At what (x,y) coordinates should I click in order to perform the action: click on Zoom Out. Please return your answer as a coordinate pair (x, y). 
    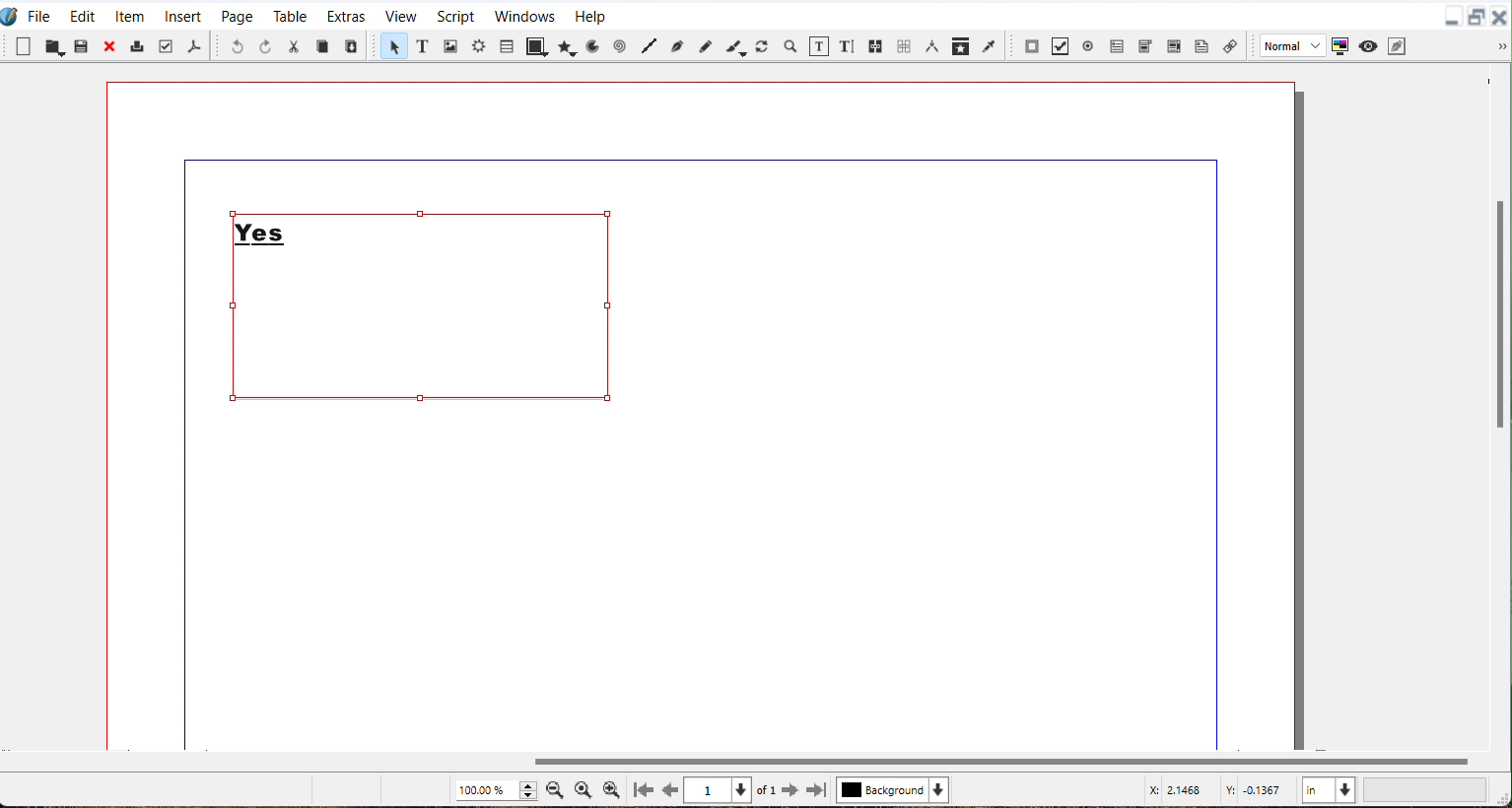
    Looking at the image, I should click on (555, 789).